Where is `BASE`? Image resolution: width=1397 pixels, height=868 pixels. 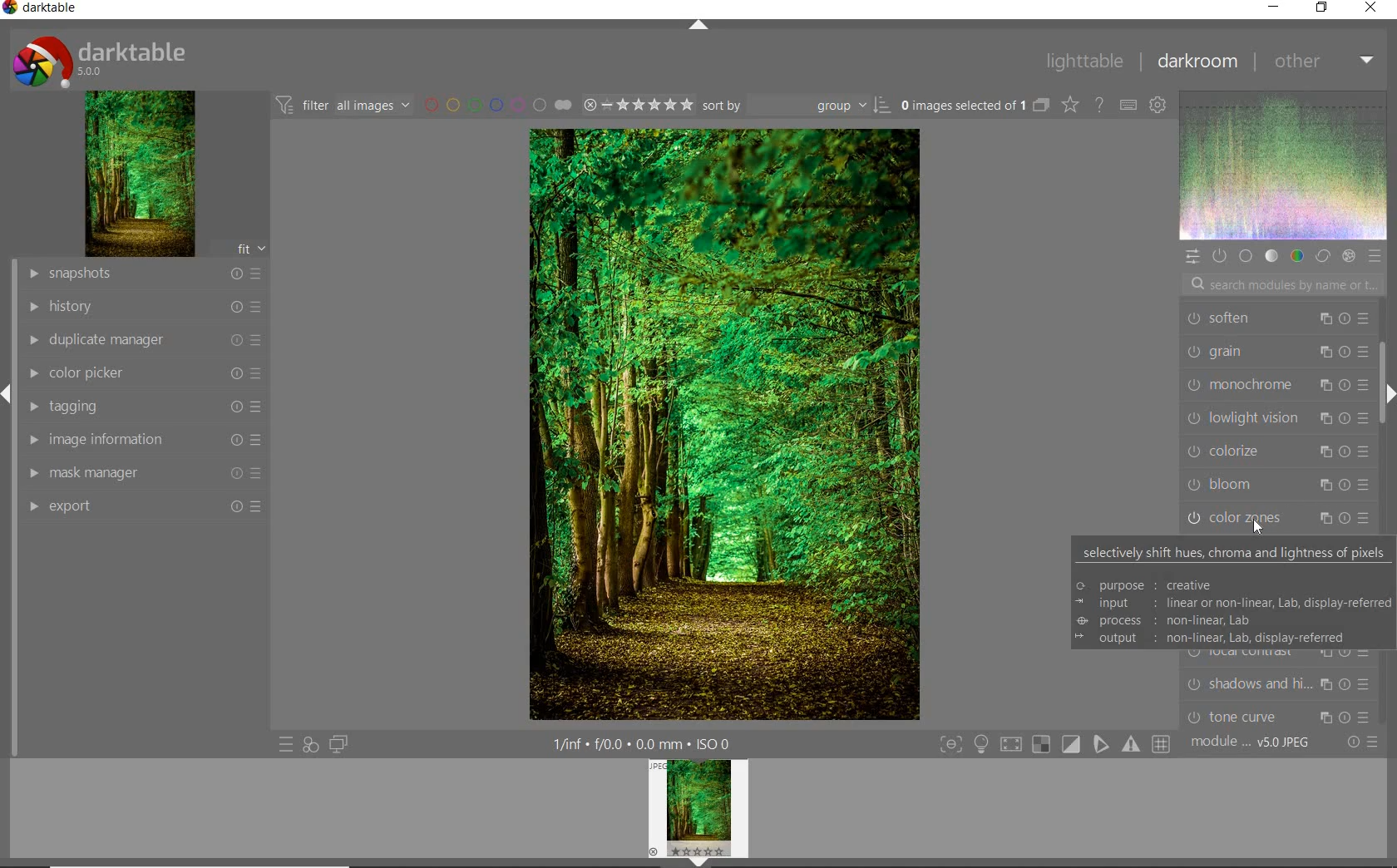
BASE is located at coordinates (1246, 258).